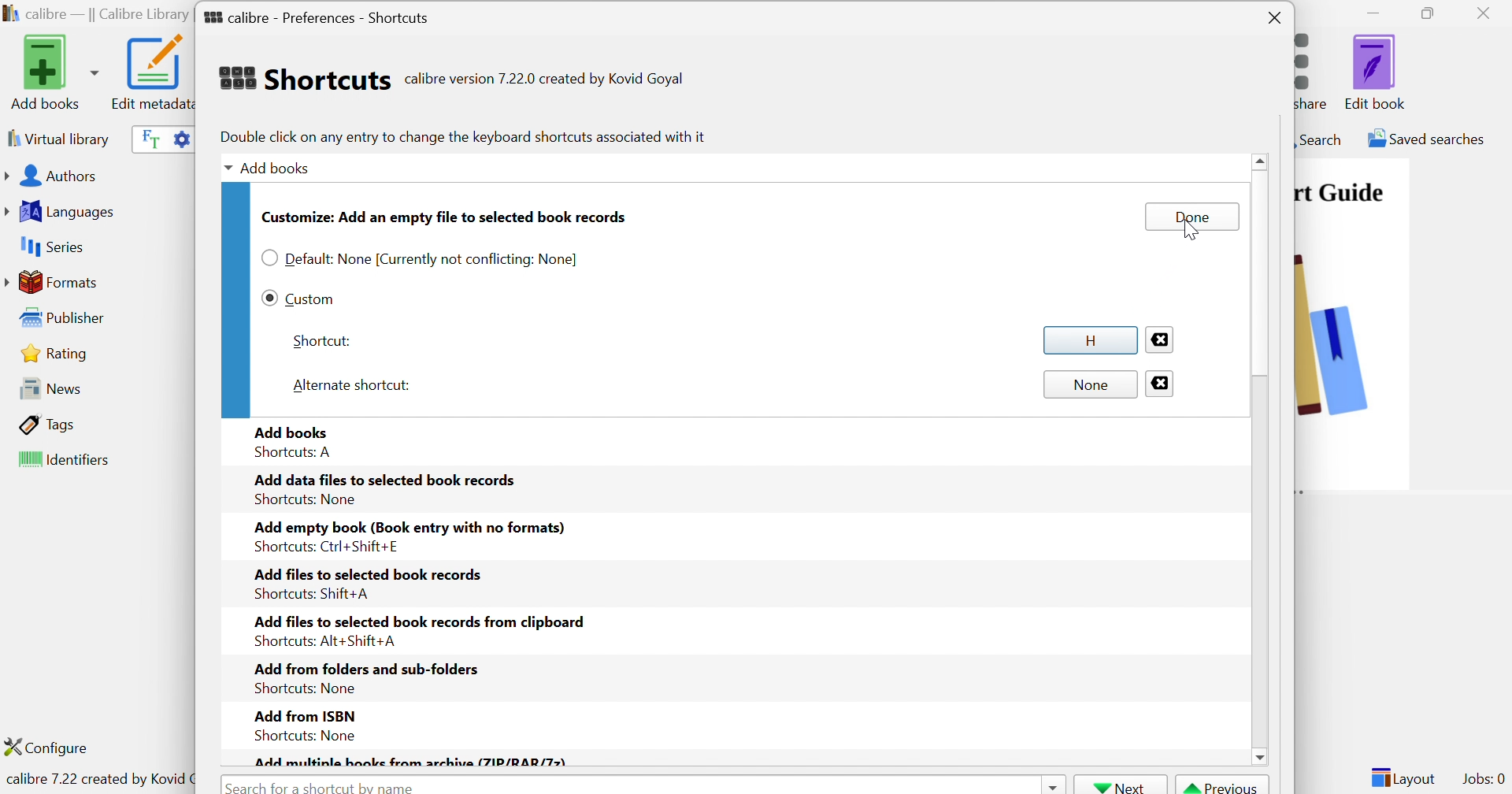  What do you see at coordinates (365, 668) in the screenshot?
I see `Add from folders and sub-folders` at bounding box center [365, 668].